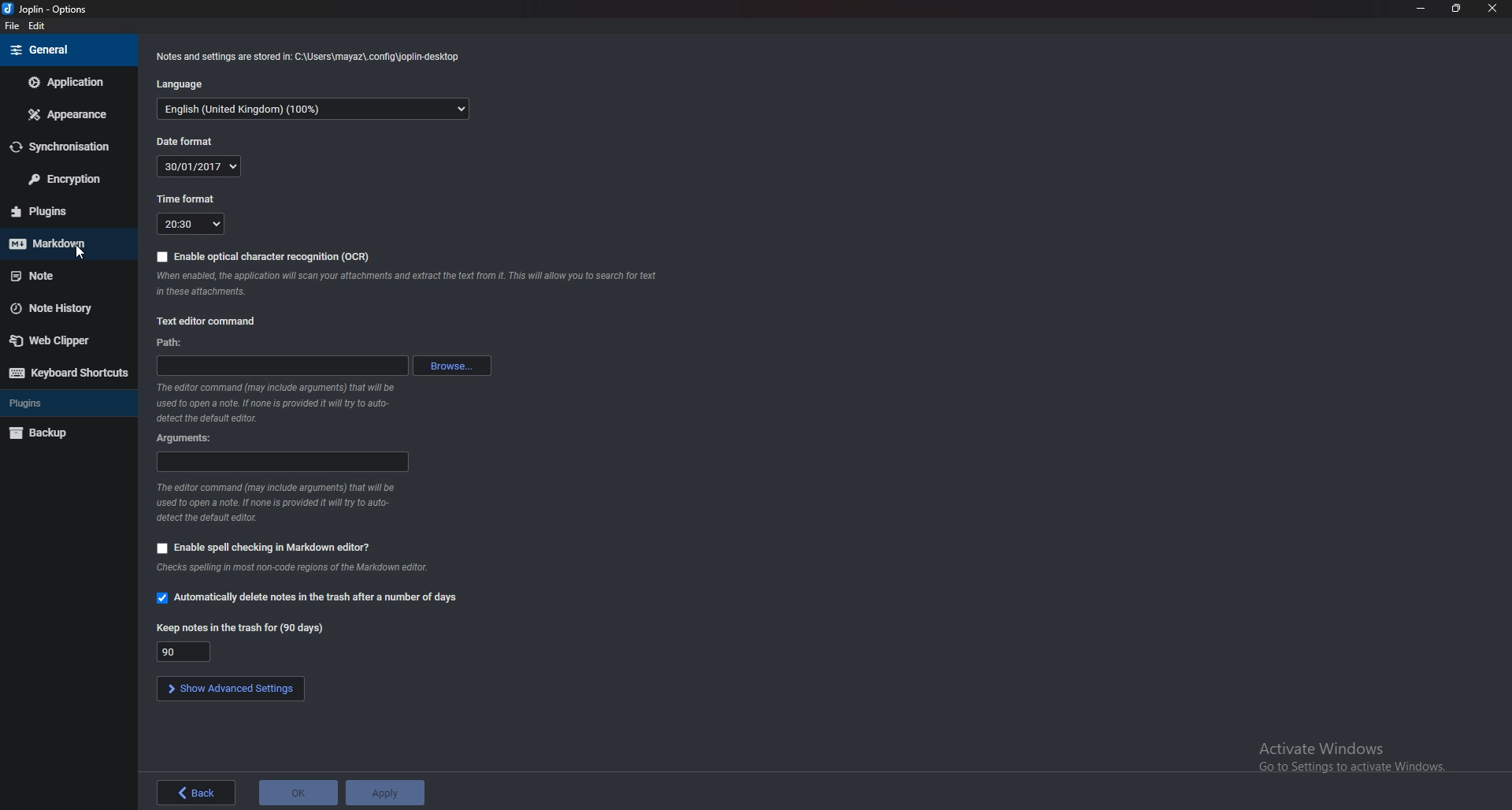 This screenshot has height=810, width=1512. What do you see at coordinates (40, 25) in the screenshot?
I see `edit` at bounding box center [40, 25].